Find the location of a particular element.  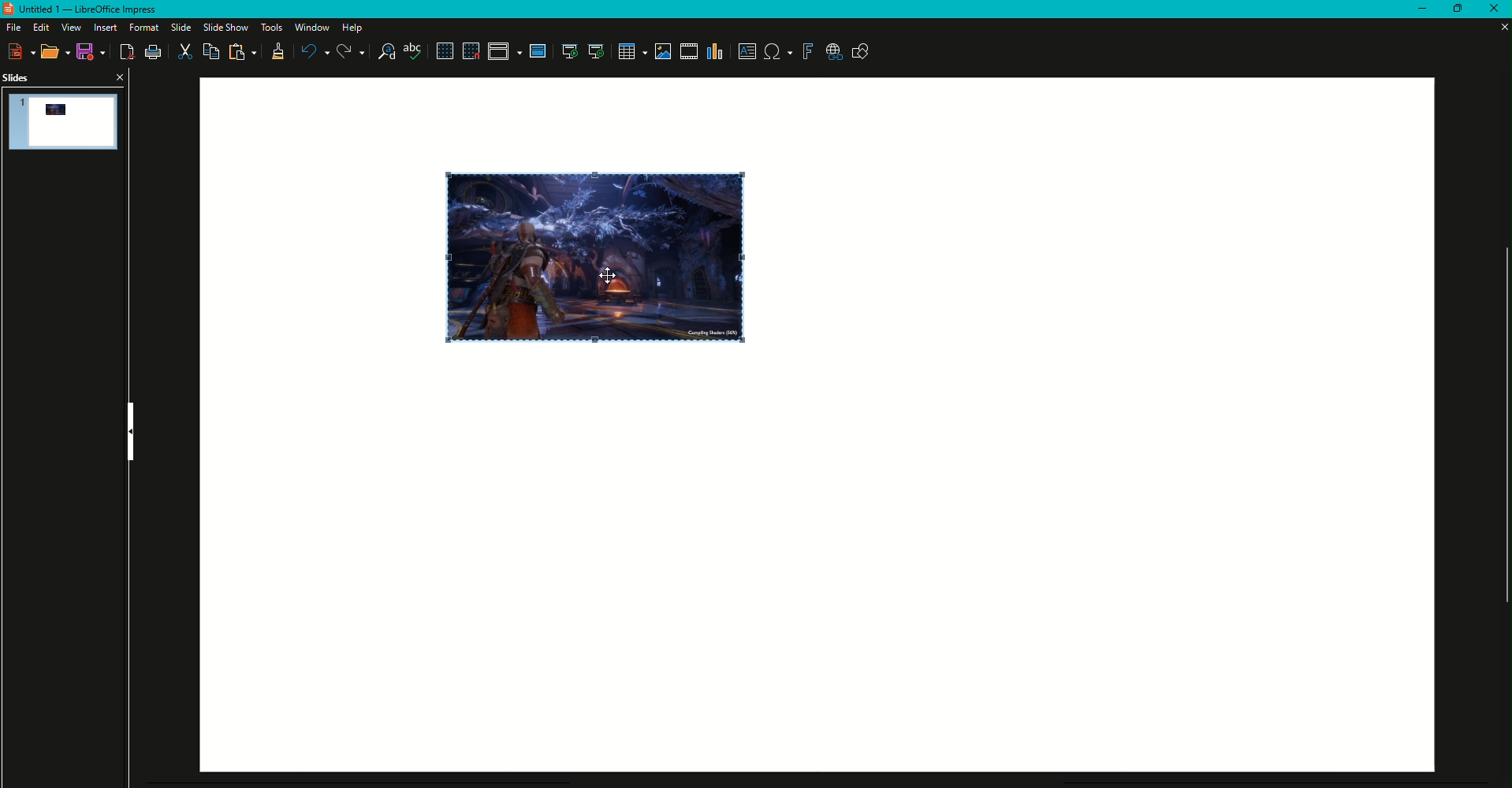

Close is located at coordinates (119, 76).